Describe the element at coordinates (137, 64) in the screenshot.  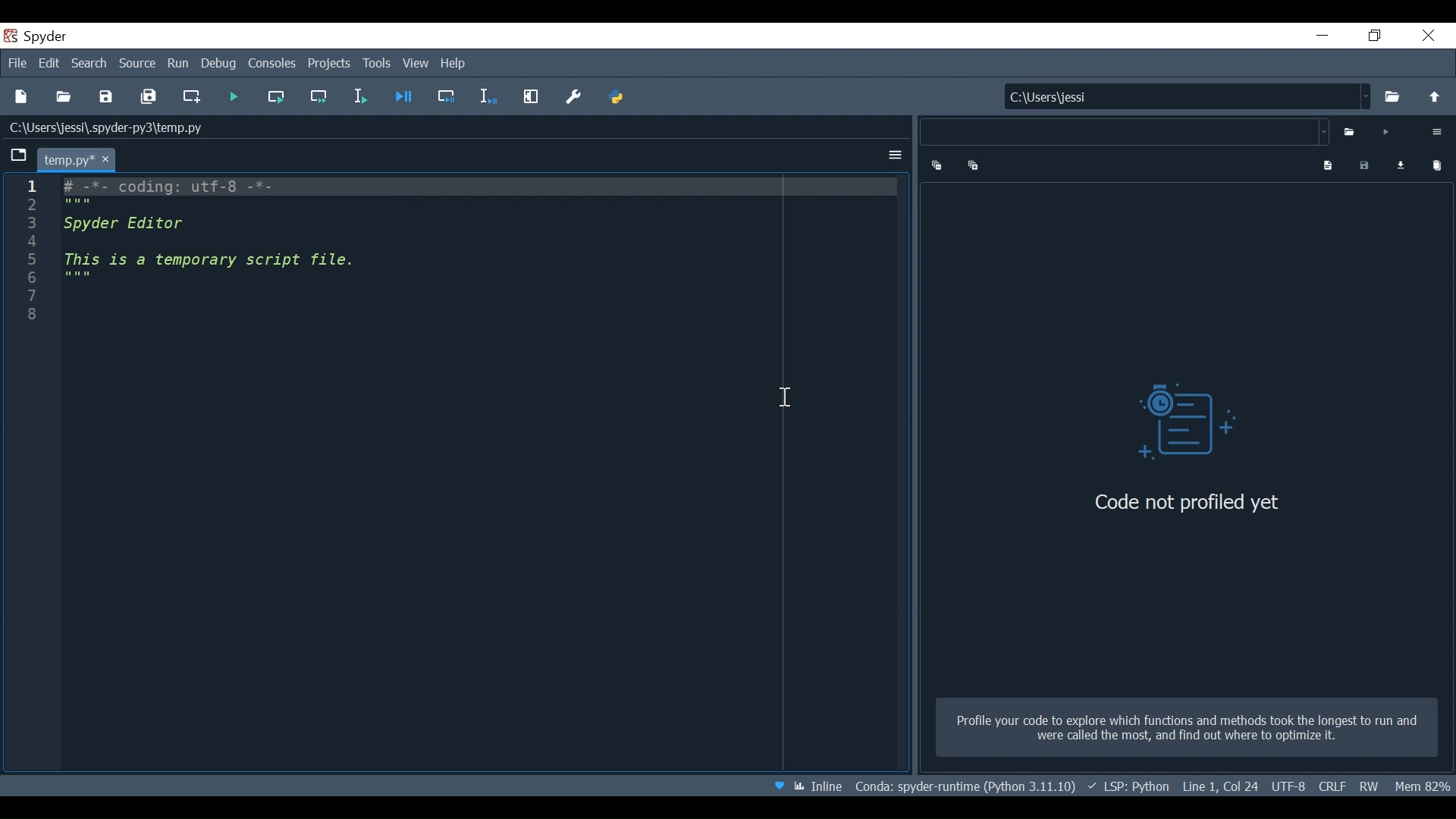
I see `Source` at that location.